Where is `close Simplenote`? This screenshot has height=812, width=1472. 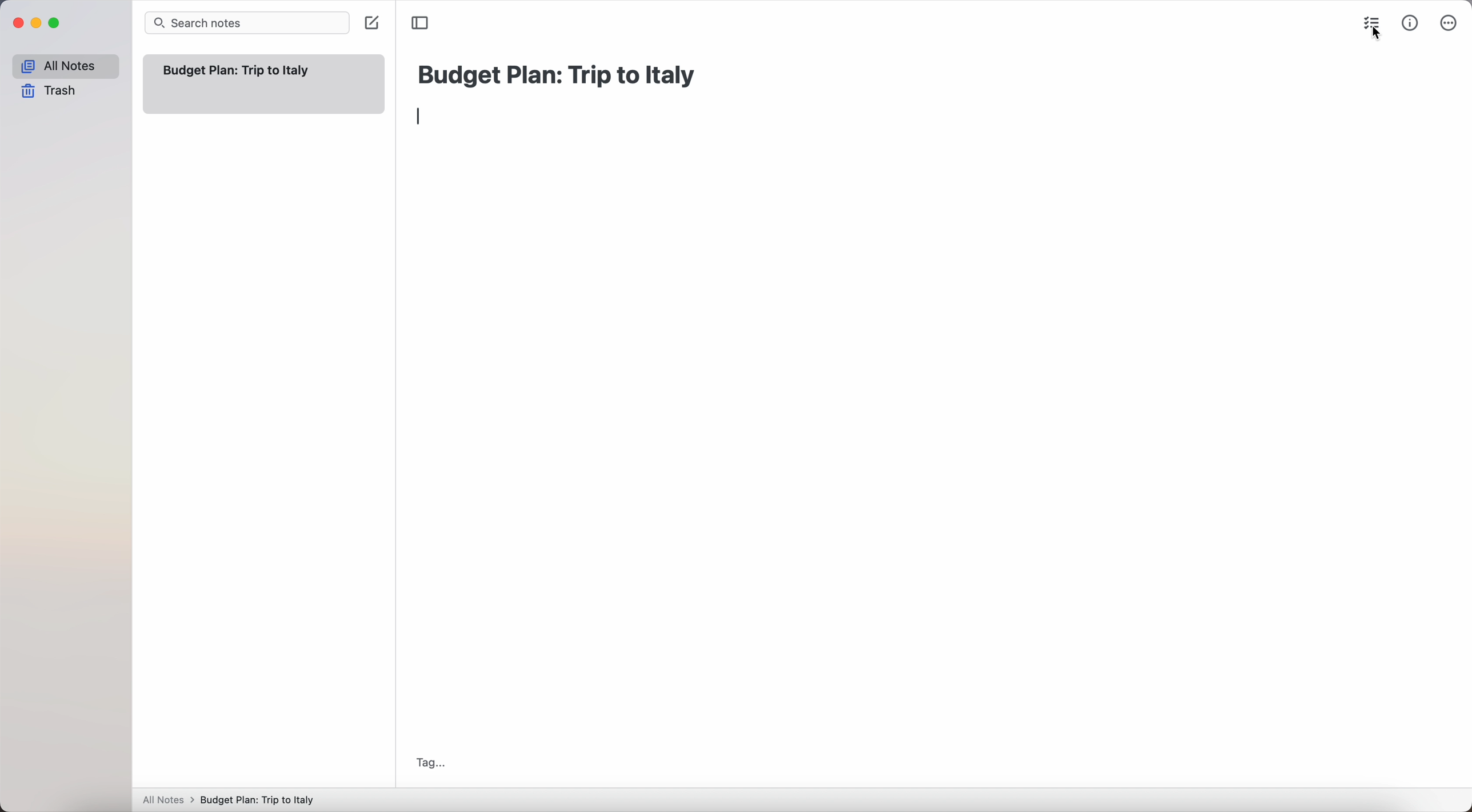
close Simplenote is located at coordinates (18, 23).